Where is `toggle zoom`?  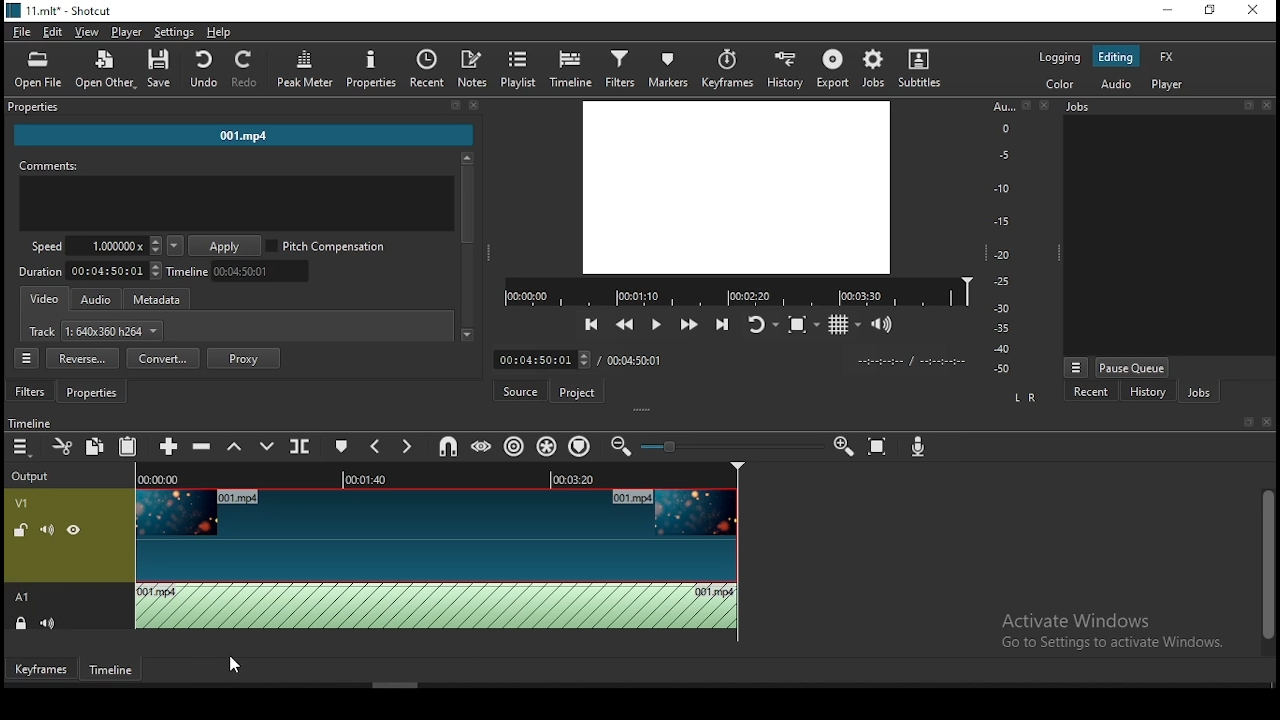
toggle zoom is located at coordinates (805, 322).